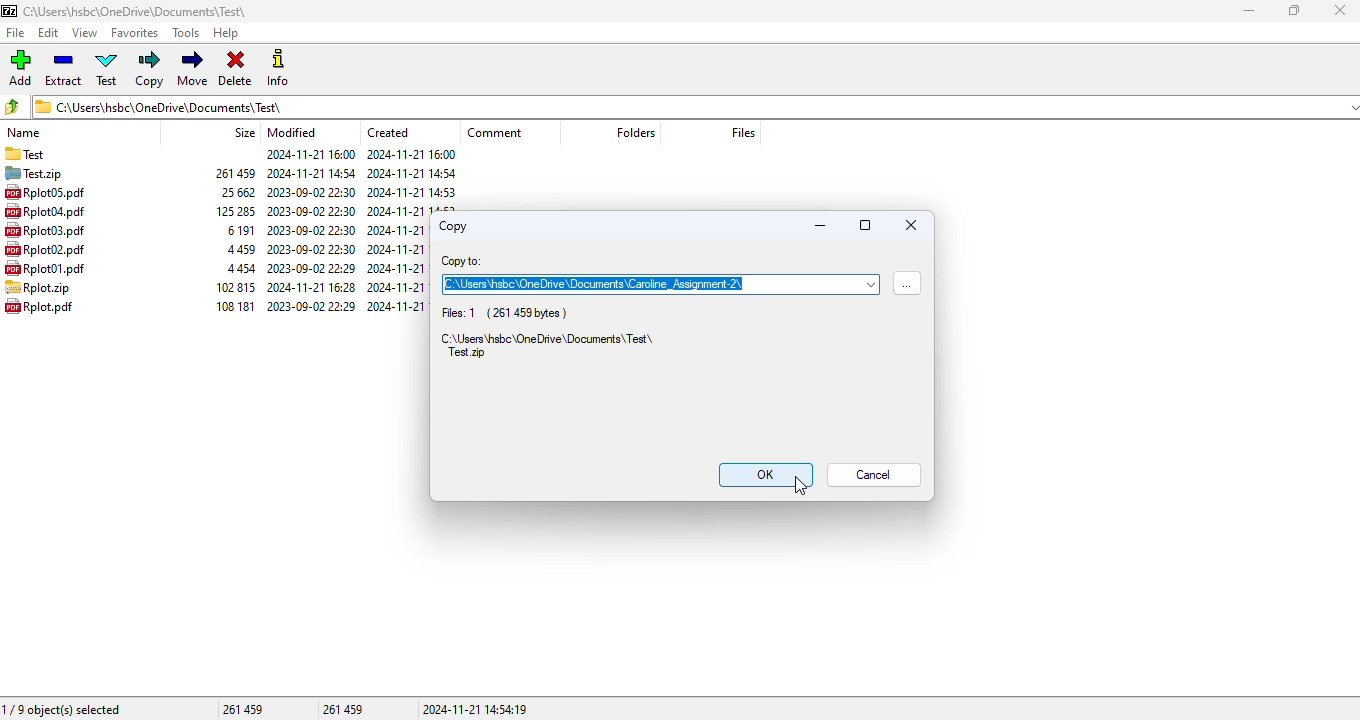 The image size is (1360, 720). I want to click on minimize, so click(821, 226).